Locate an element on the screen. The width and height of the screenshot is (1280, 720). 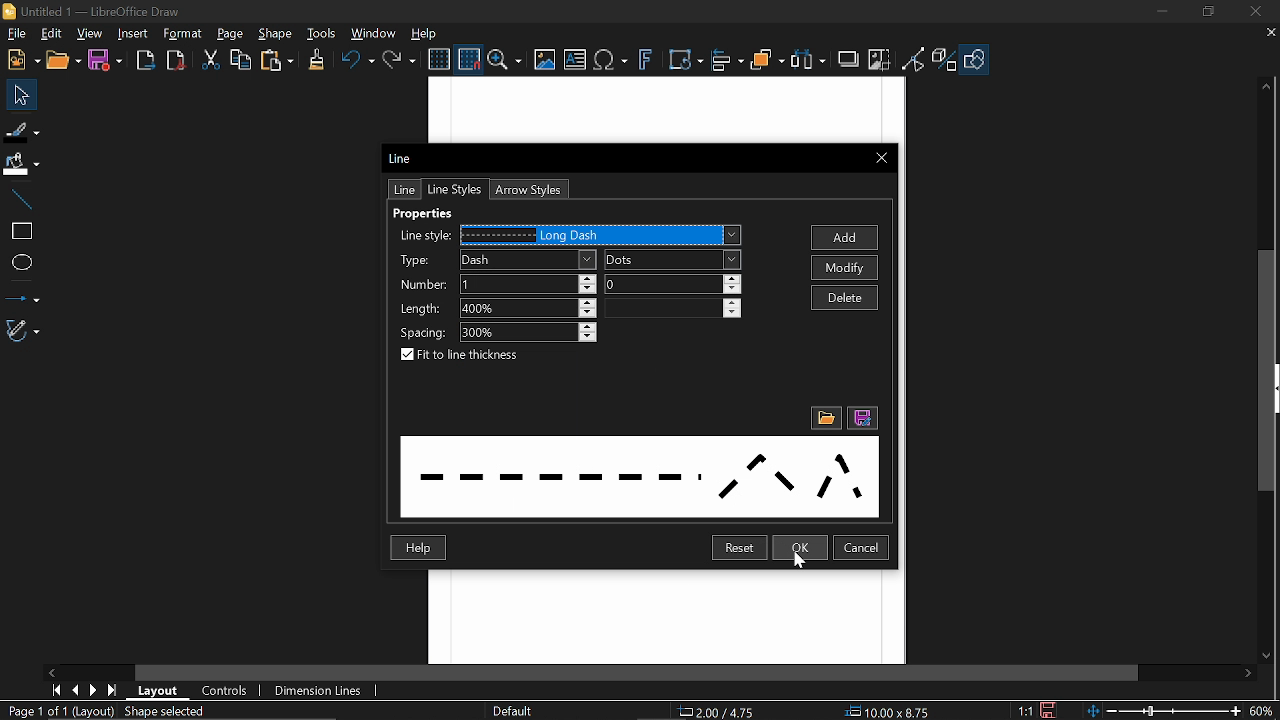
Shadow is located at coordinates (848, 59).